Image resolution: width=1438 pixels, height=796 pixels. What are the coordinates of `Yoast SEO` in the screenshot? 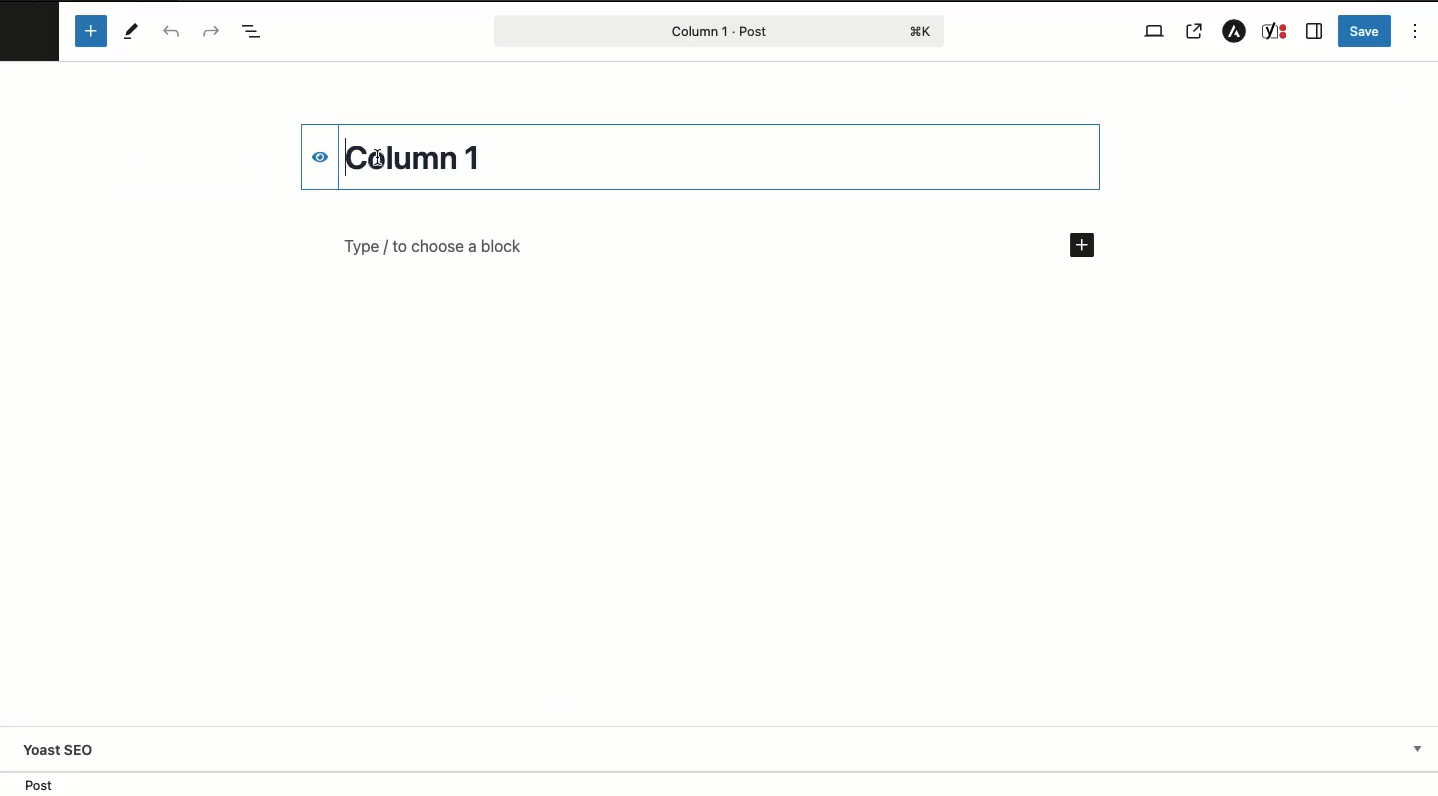 It's located at (729, 749).